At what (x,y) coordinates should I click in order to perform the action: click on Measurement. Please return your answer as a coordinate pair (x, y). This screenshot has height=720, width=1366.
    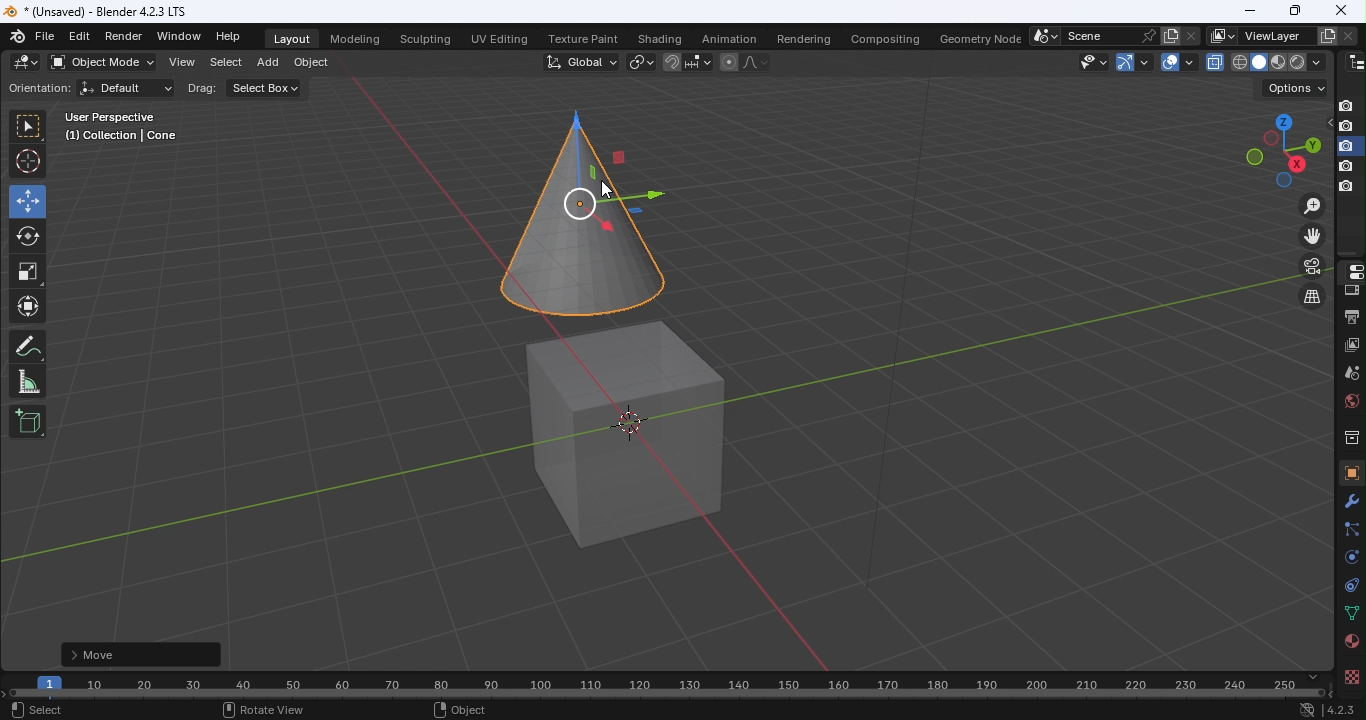
    Looking at the image, I should click on (28, 383).